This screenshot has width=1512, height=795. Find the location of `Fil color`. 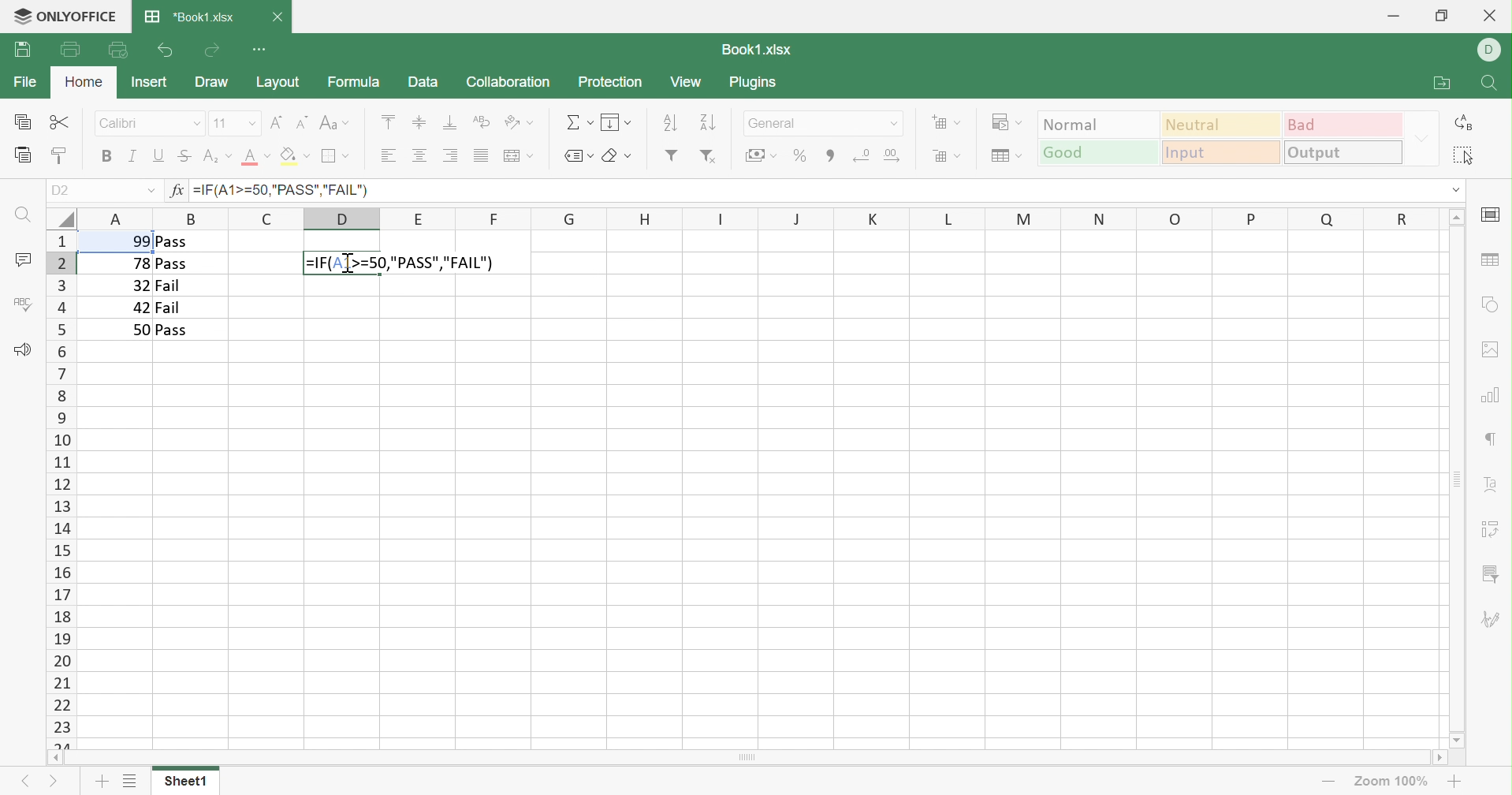

Fil color is located at coordinates (295, 155).